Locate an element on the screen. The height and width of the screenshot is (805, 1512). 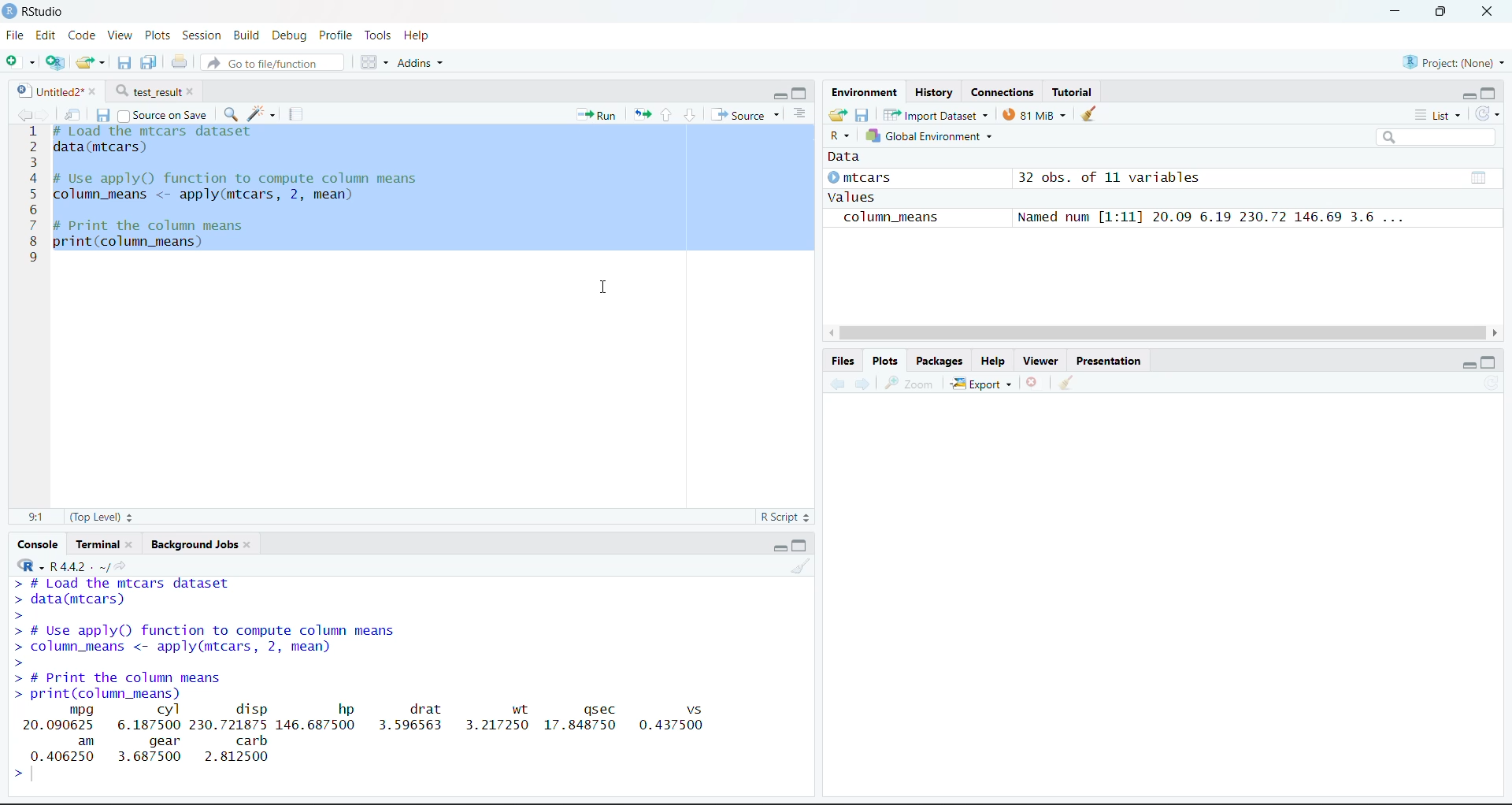
# Load the mtcars dataset

data(mtcars)

# Use apply) function to compute column means
column_means <- apply(mtcars, 2, mean)

# Print the column means

print(column_means) 1 is located at coordinates (272, 192).